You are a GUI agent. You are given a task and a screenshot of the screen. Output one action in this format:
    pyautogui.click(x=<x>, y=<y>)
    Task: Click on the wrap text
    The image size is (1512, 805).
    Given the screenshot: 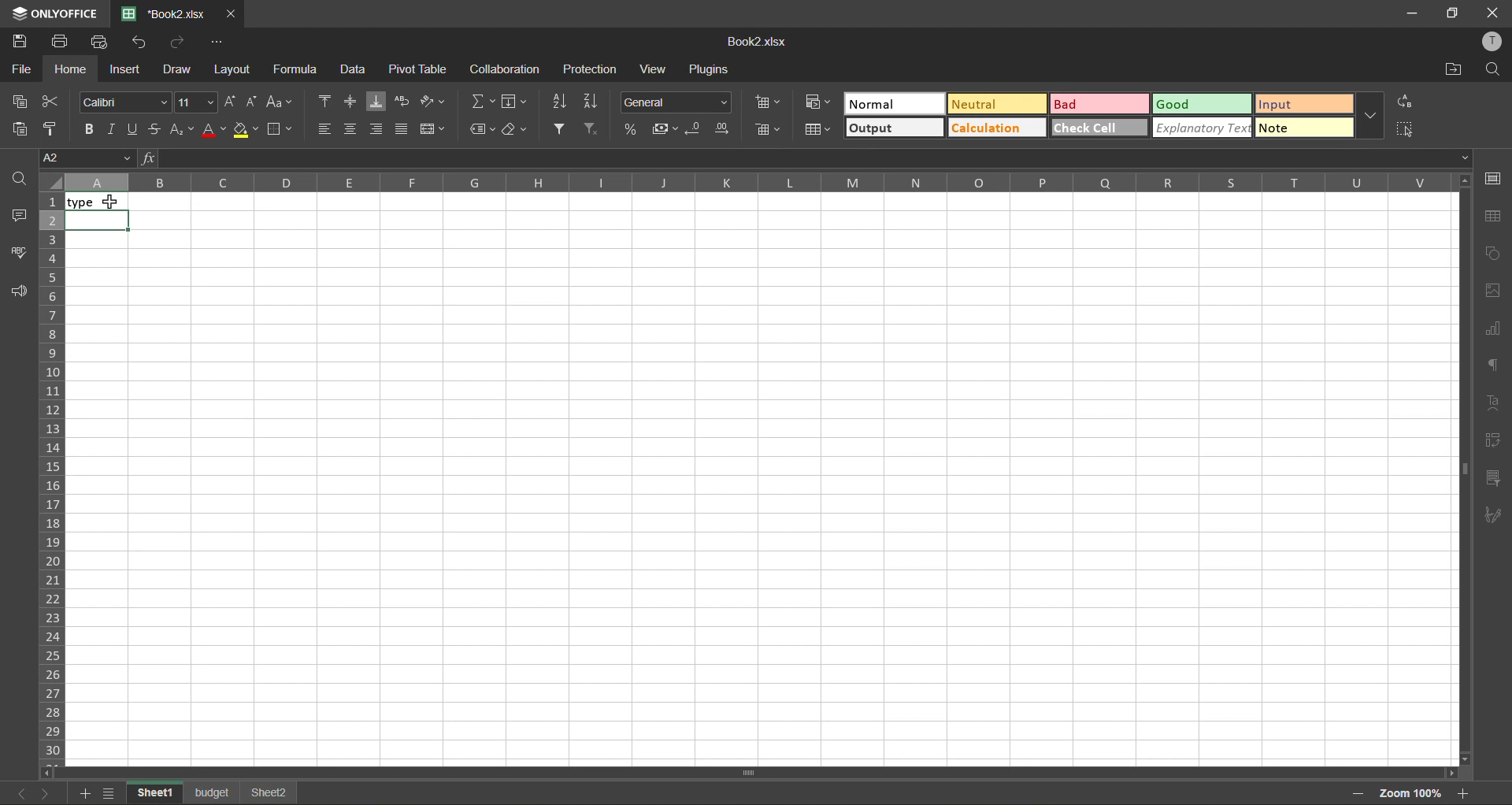 What is the action you would take?
    pyautogui.click(x=402, y=99)
    